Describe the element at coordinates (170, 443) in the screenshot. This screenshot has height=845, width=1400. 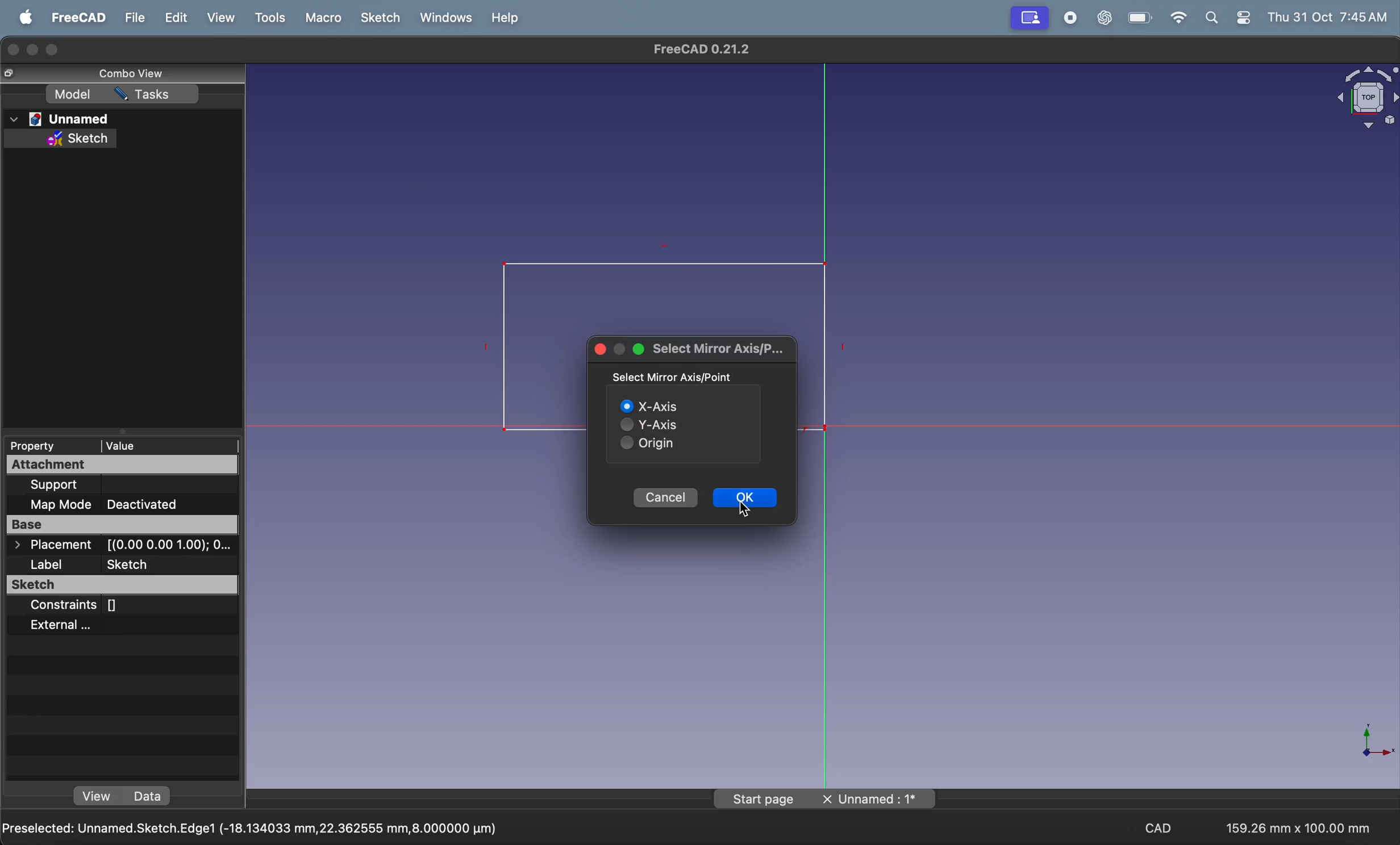
I see `value` at that location.